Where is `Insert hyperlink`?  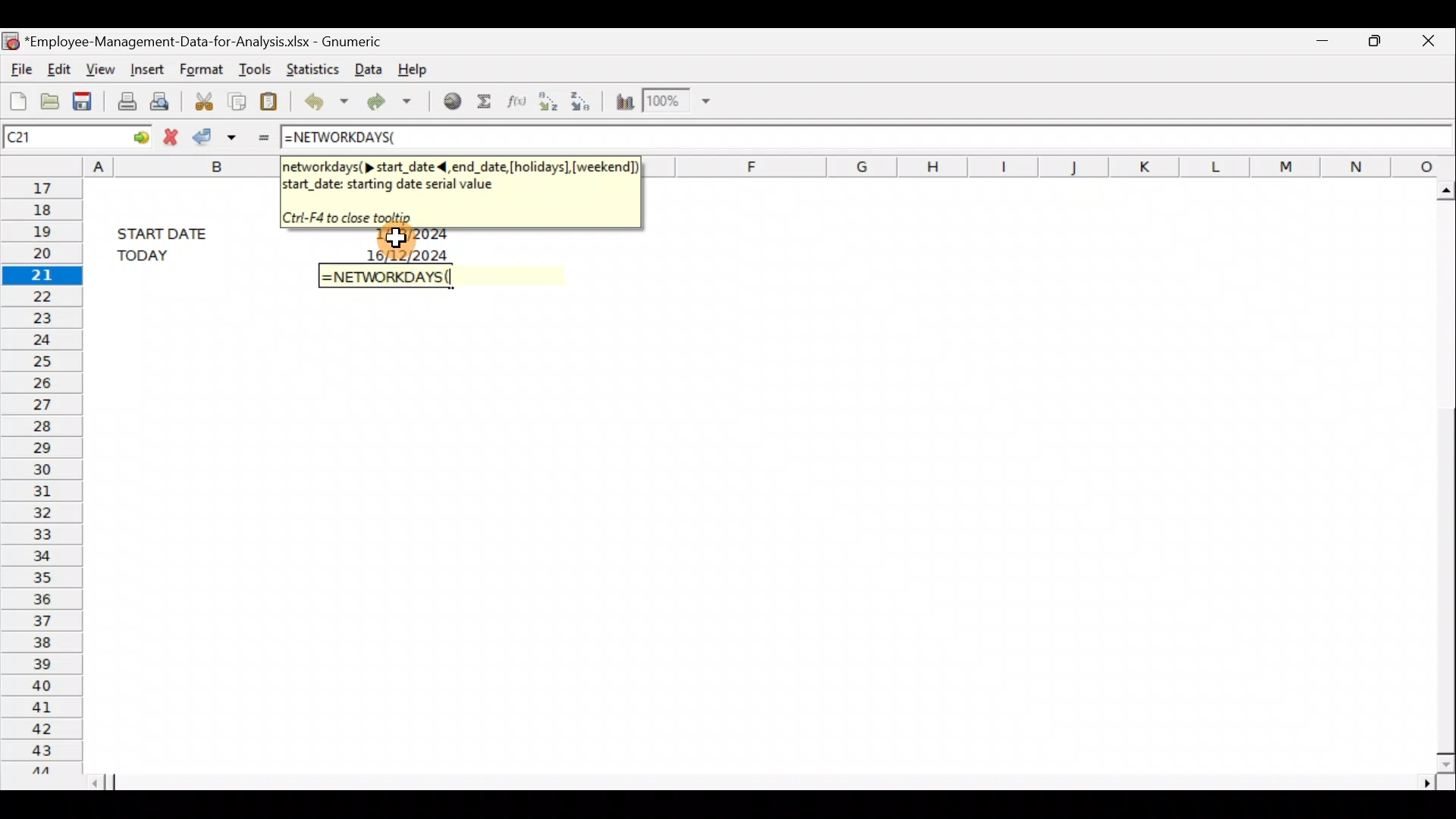 Insert hyperlink is located at coordinates (447, 102).